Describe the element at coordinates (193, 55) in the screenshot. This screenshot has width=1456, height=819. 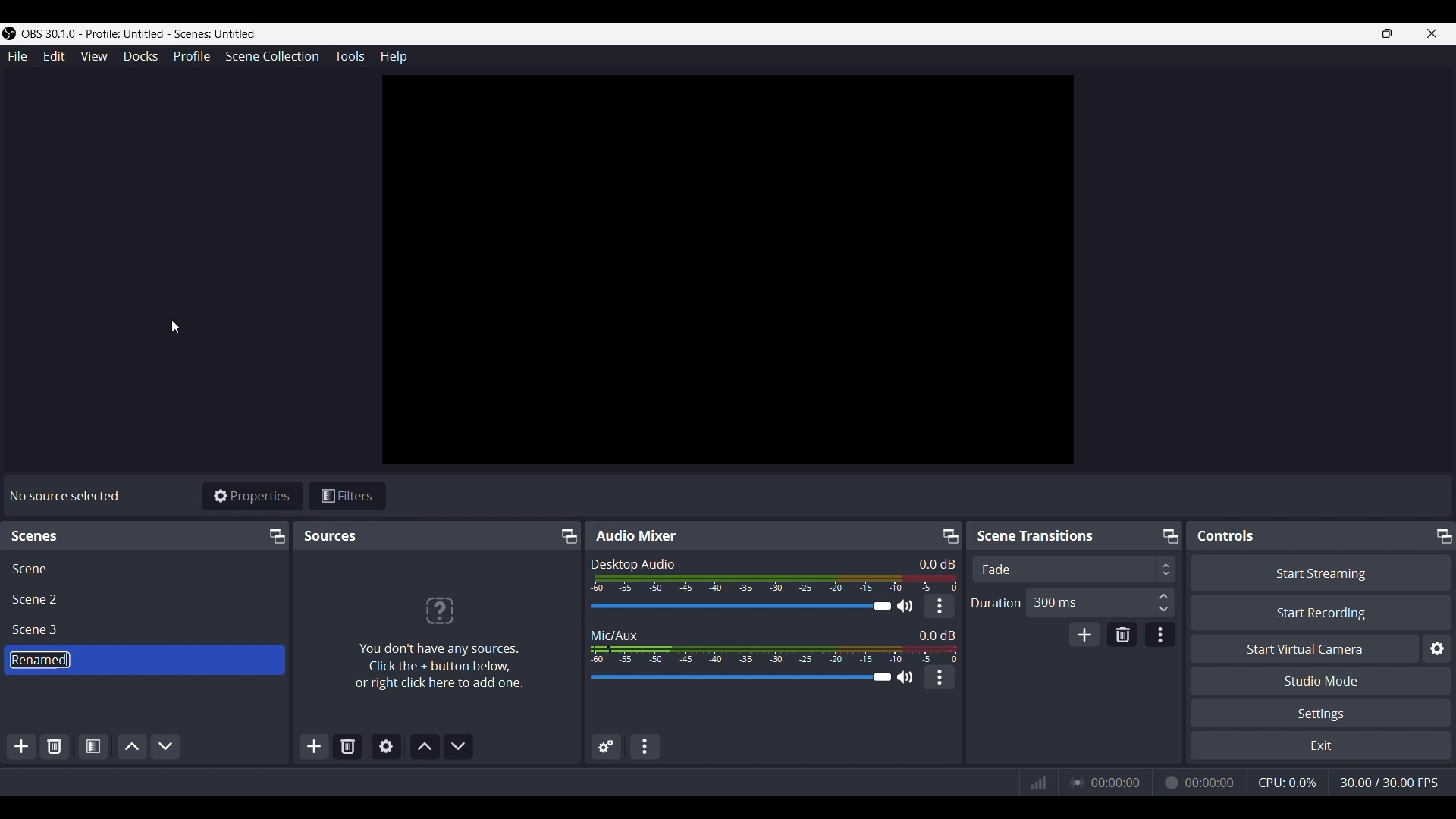
I see `Profile` at that location.